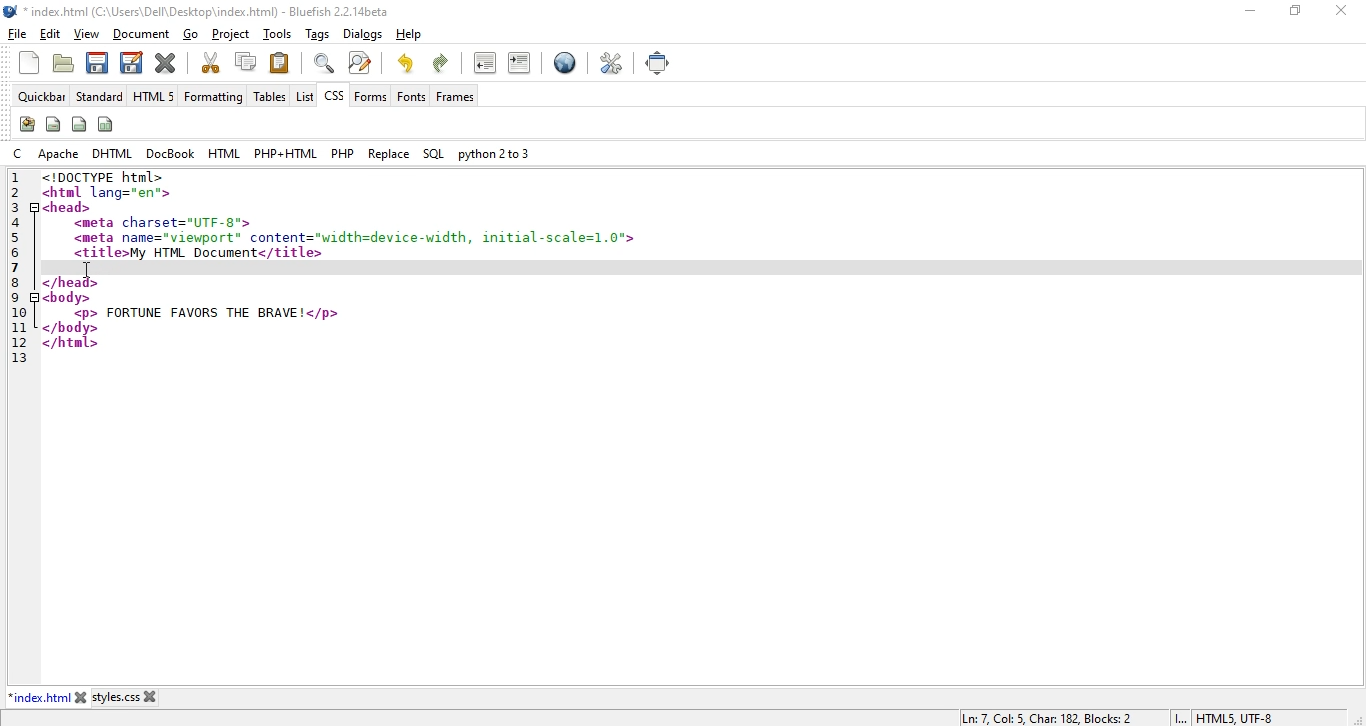 The height and width of the screenshot is (726, 1366). What do you see at coordinates (333, 98) in the screenshot?
I see `css` at bounding box center [333, 98].